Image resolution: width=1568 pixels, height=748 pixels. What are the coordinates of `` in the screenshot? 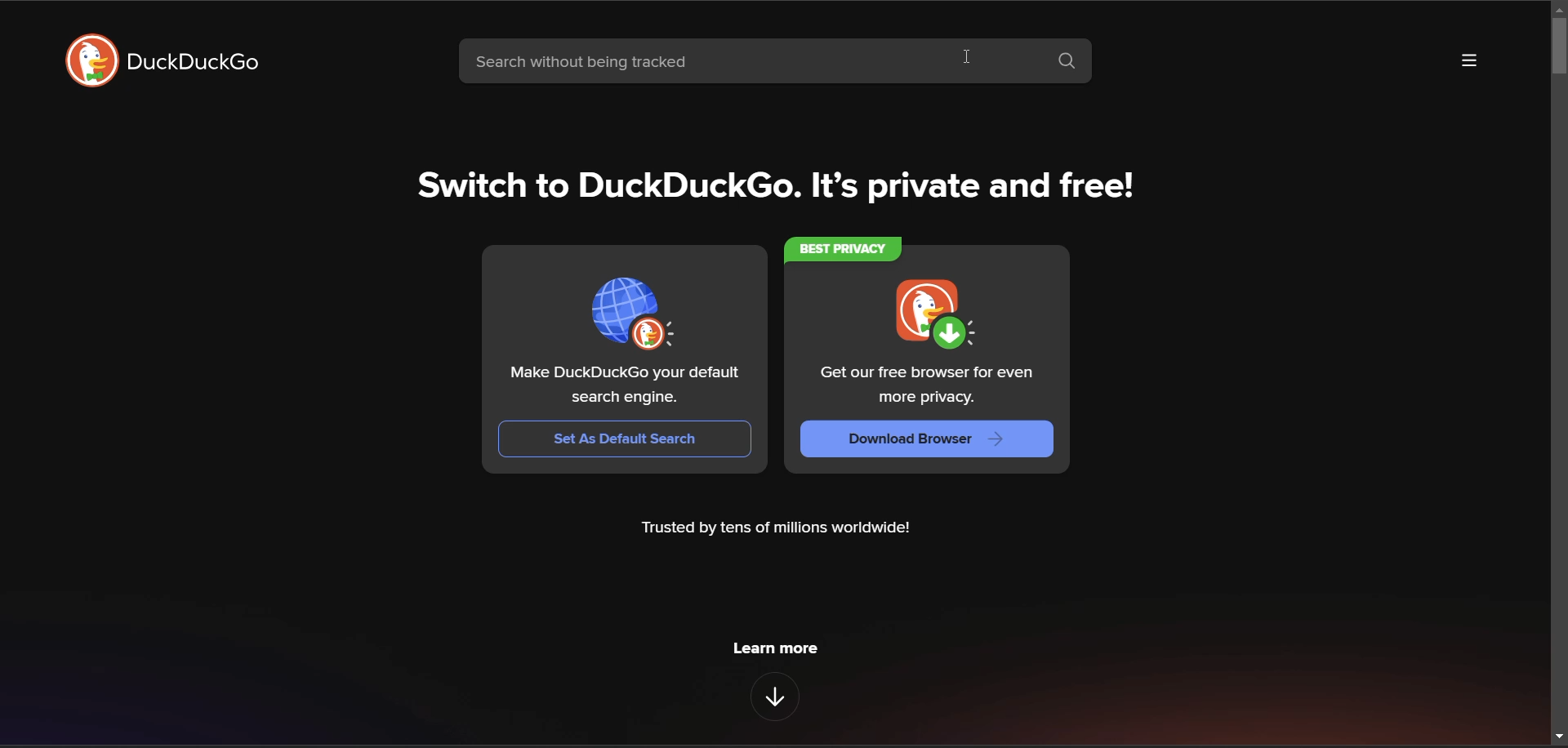 It's located at (934, 313).